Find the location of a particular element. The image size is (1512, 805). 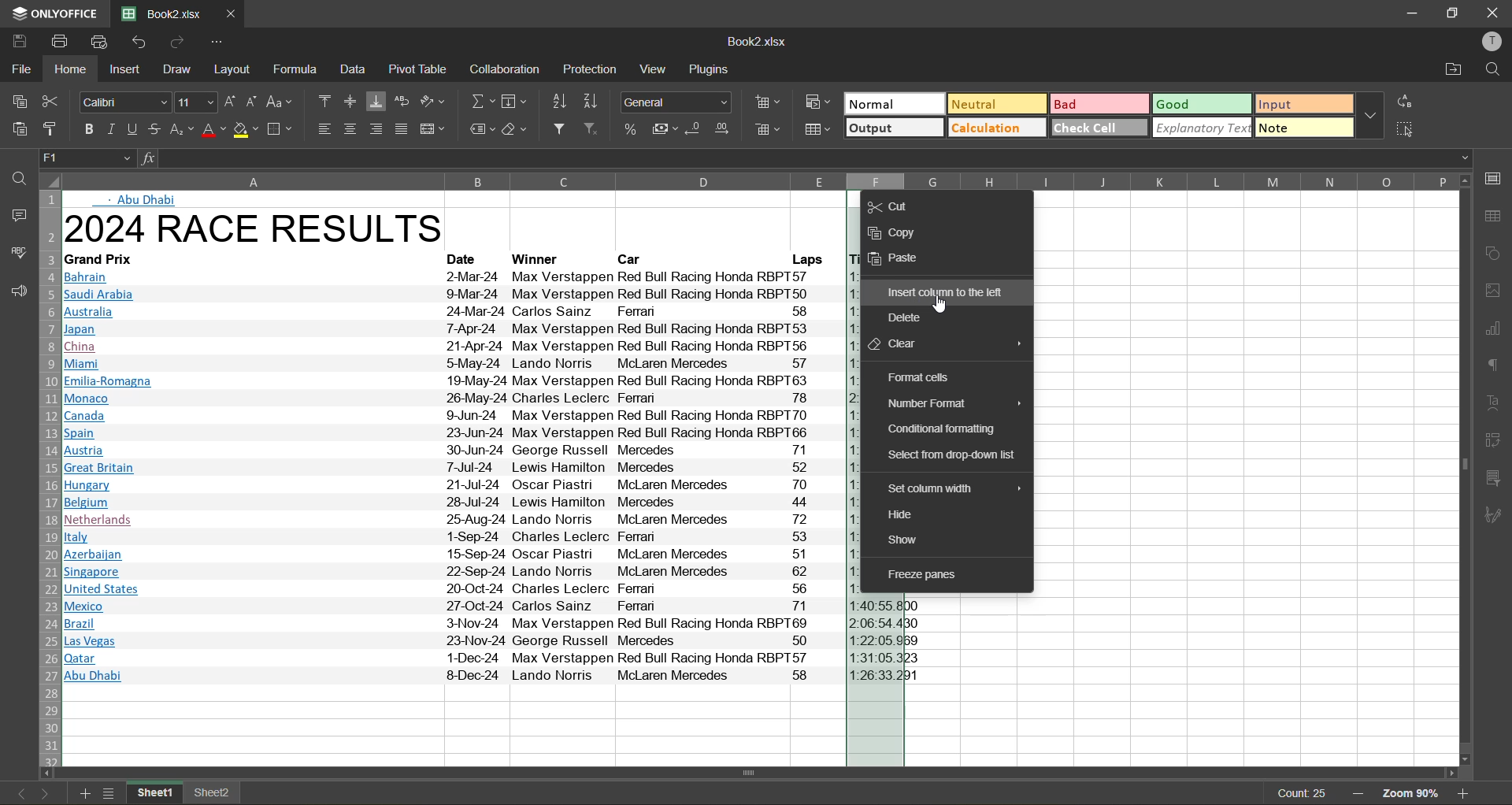

decrement size is located at coordinates (254, 101).